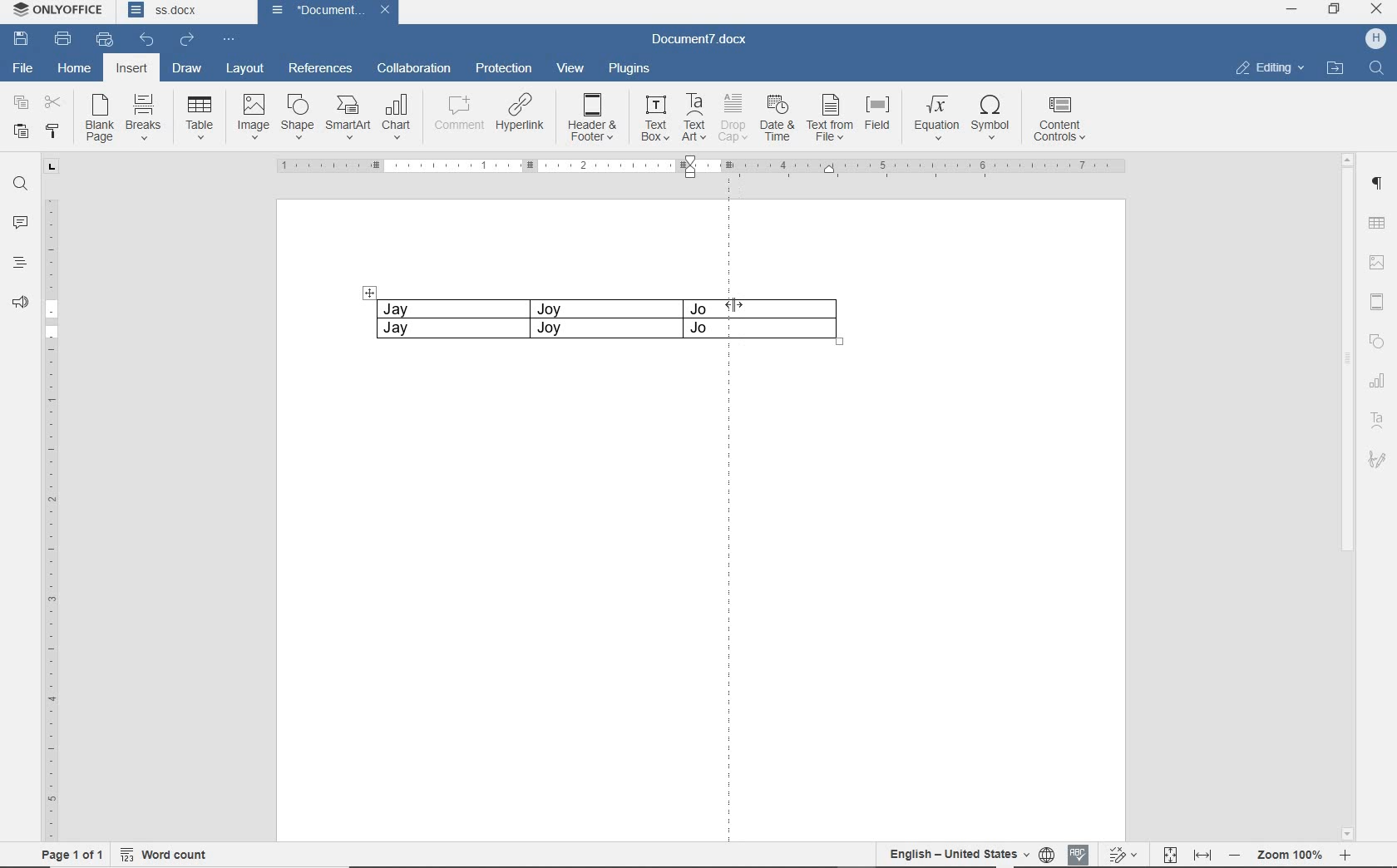  Describe the element at coordinates (1346, 496) in the screenshot. I see `SCROLLBAR` at that location.